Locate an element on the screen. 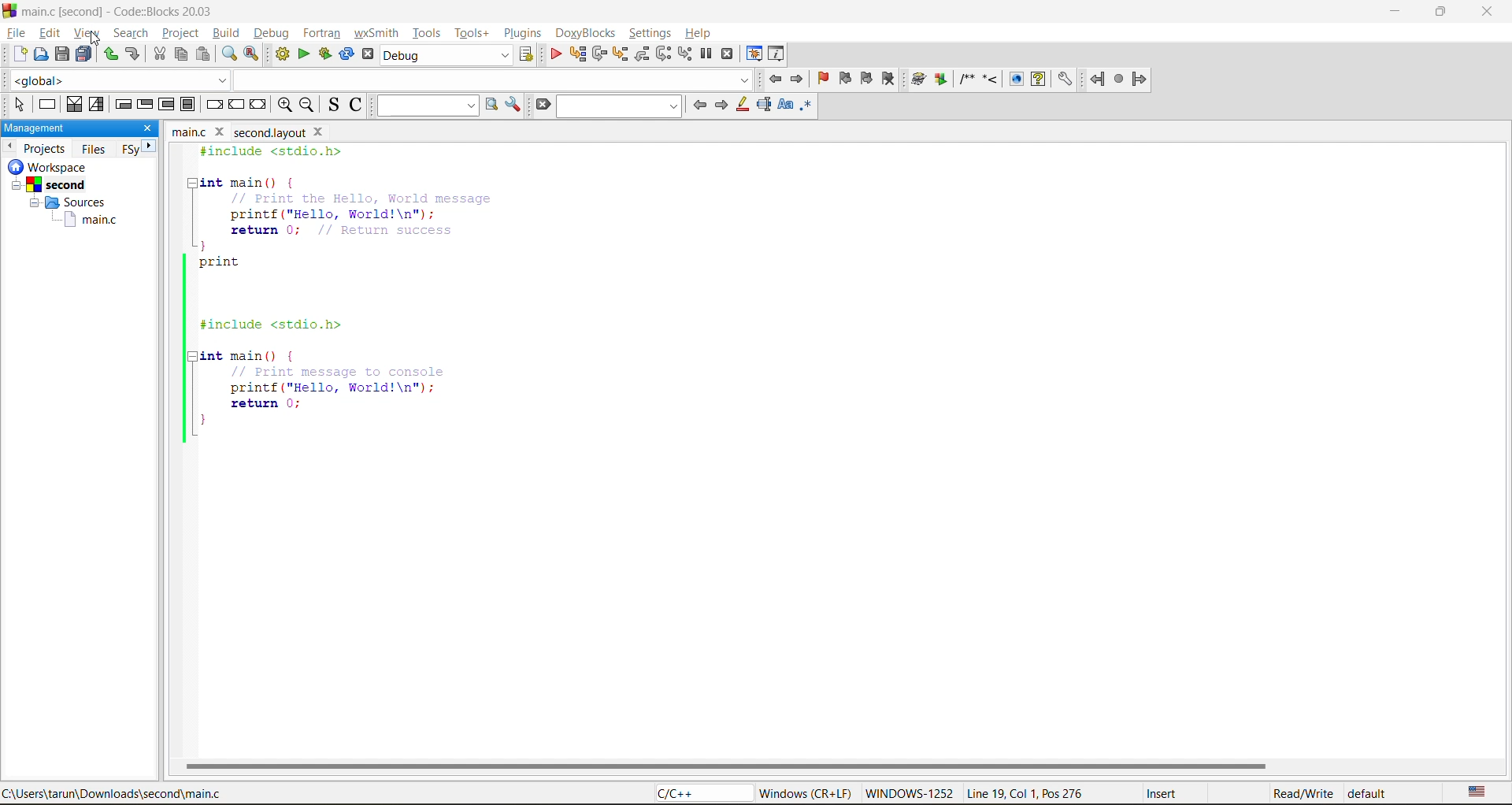  show options window is located at coordinates (515, 106).